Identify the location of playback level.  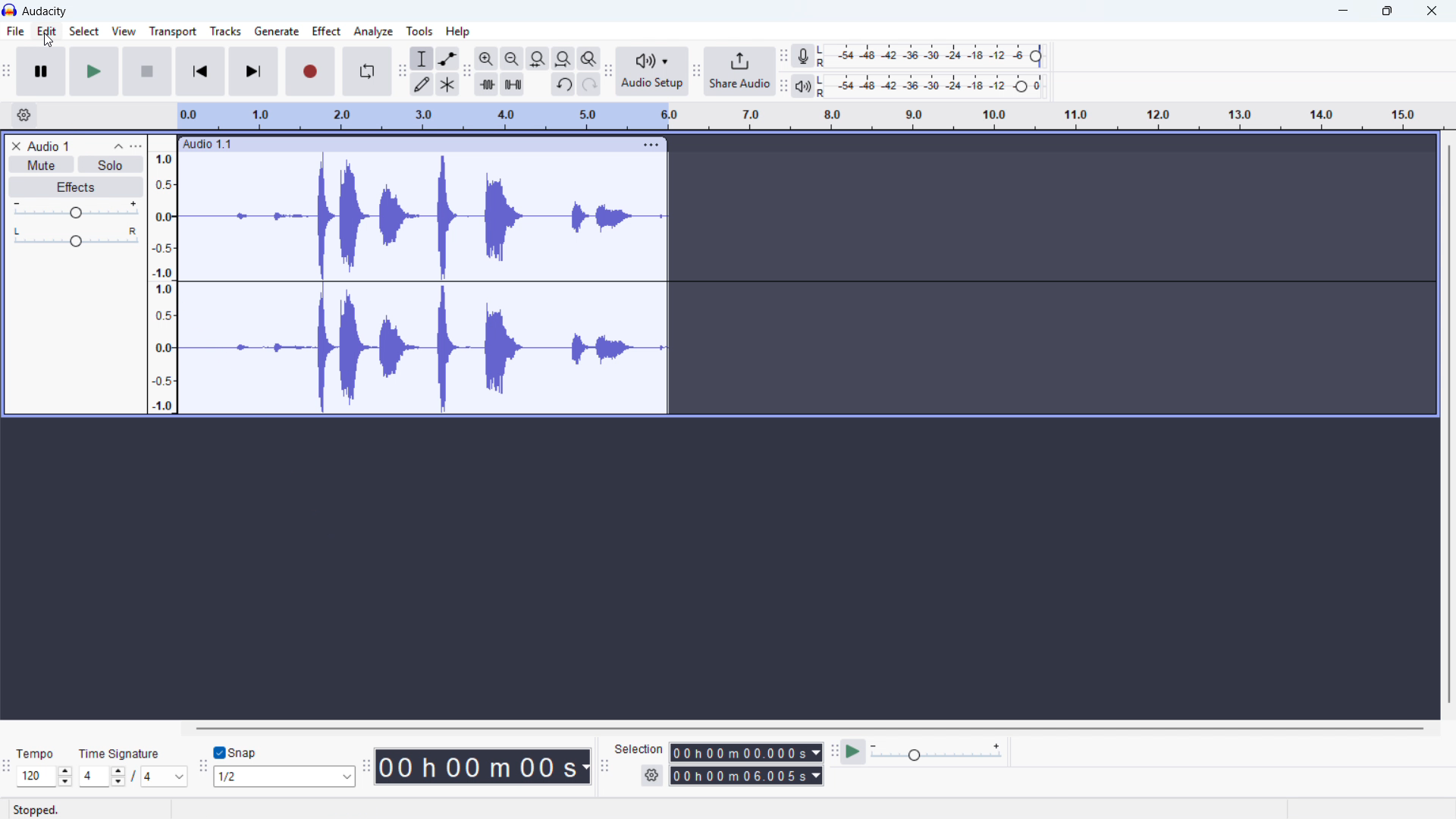
(934, 86).